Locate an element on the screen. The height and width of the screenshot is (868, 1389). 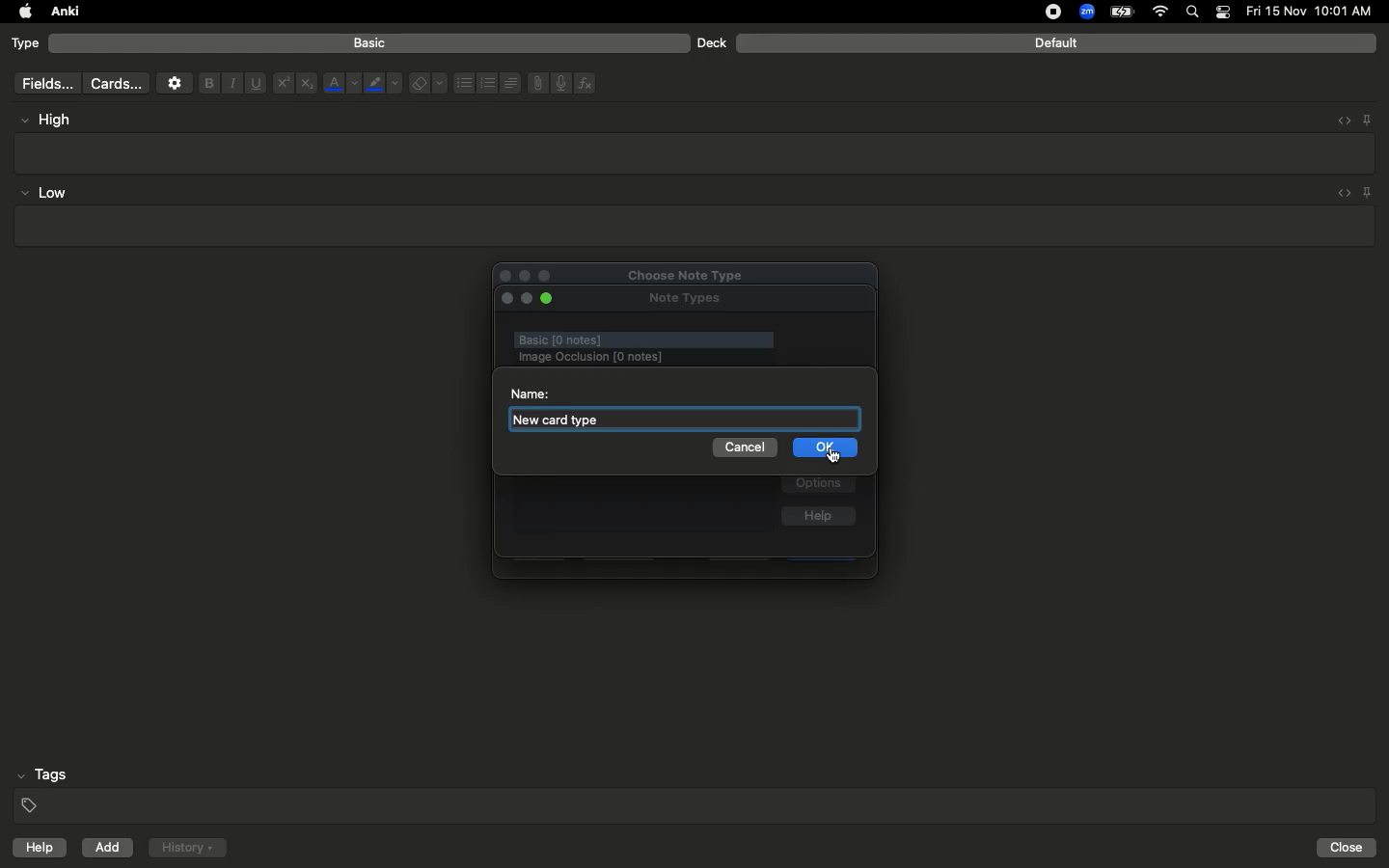
Subscript is located at coordinates (307, 84).